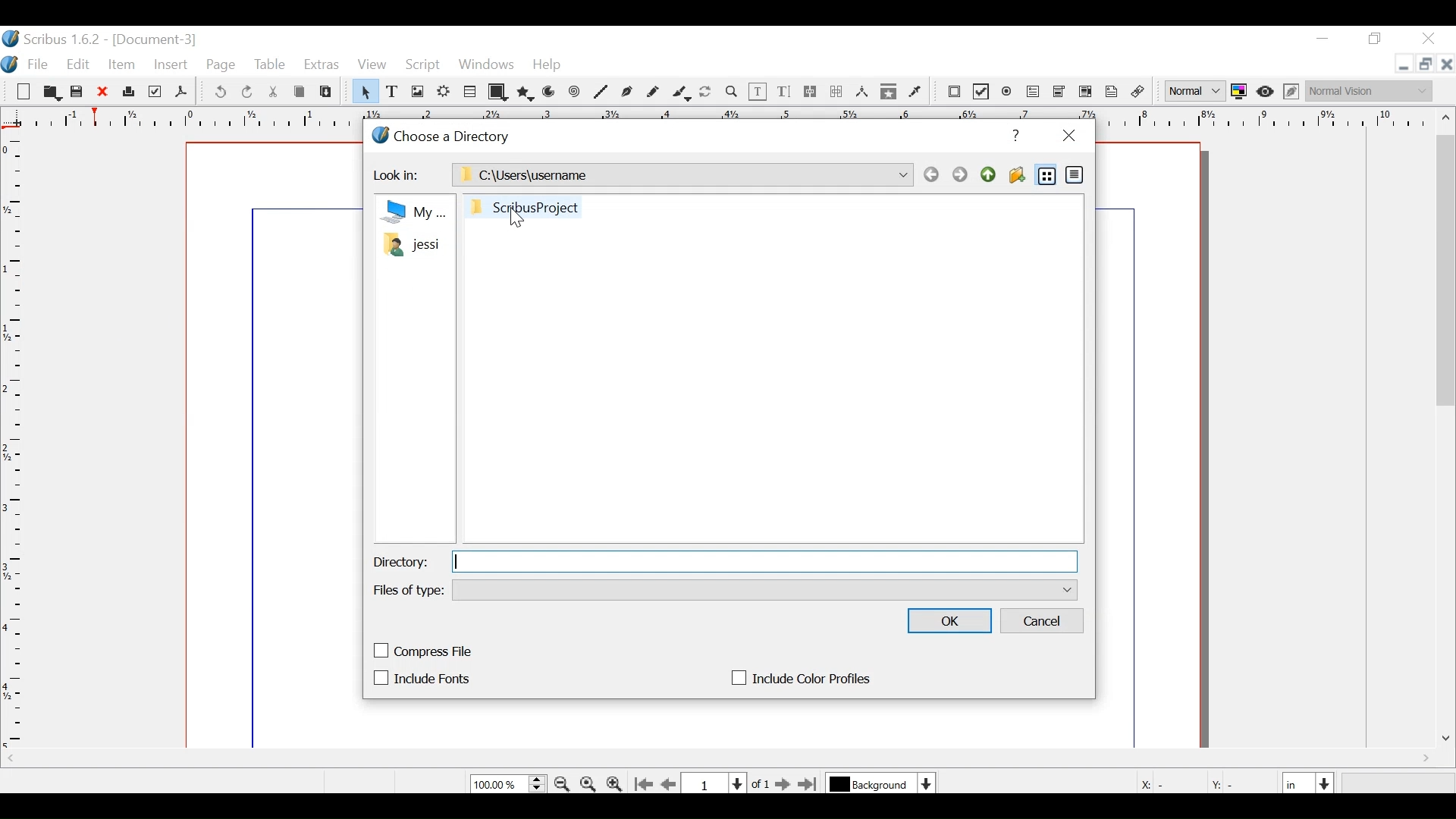  What do you see at coordinates (526, 206) in the screenshot?
I see `Folder` at bounding box center [526, 206].